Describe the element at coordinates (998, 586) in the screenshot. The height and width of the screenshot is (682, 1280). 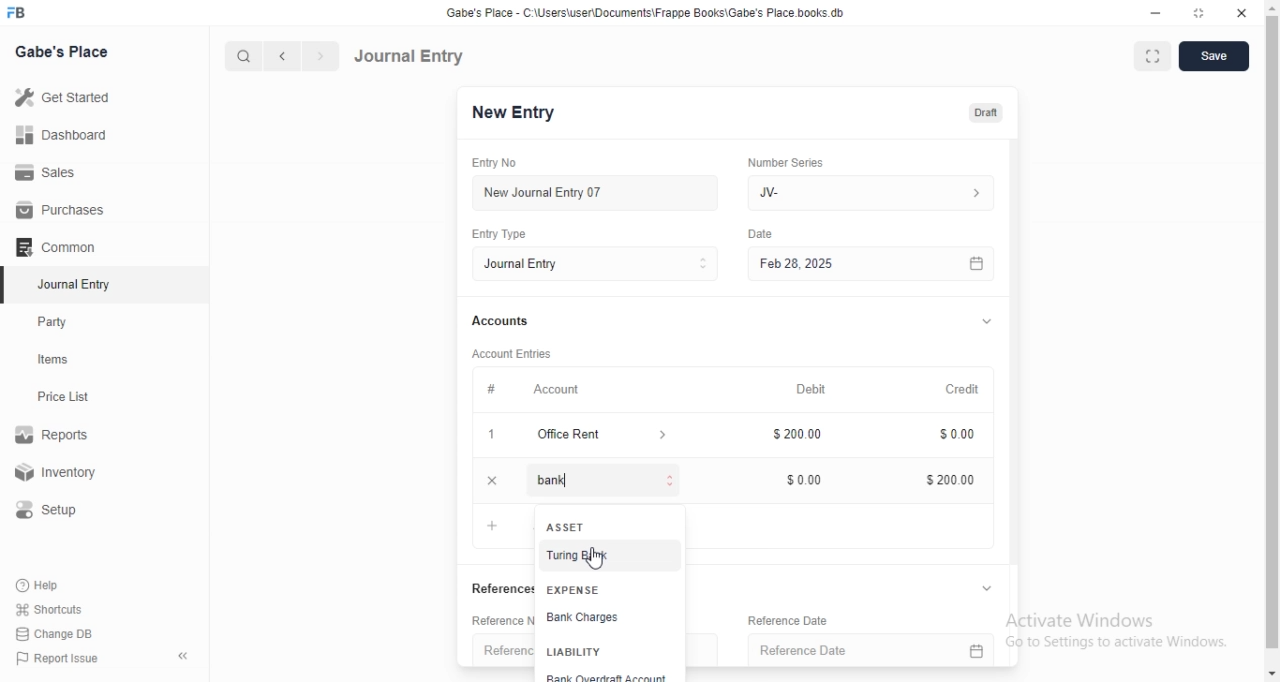
I see `v` at that location.